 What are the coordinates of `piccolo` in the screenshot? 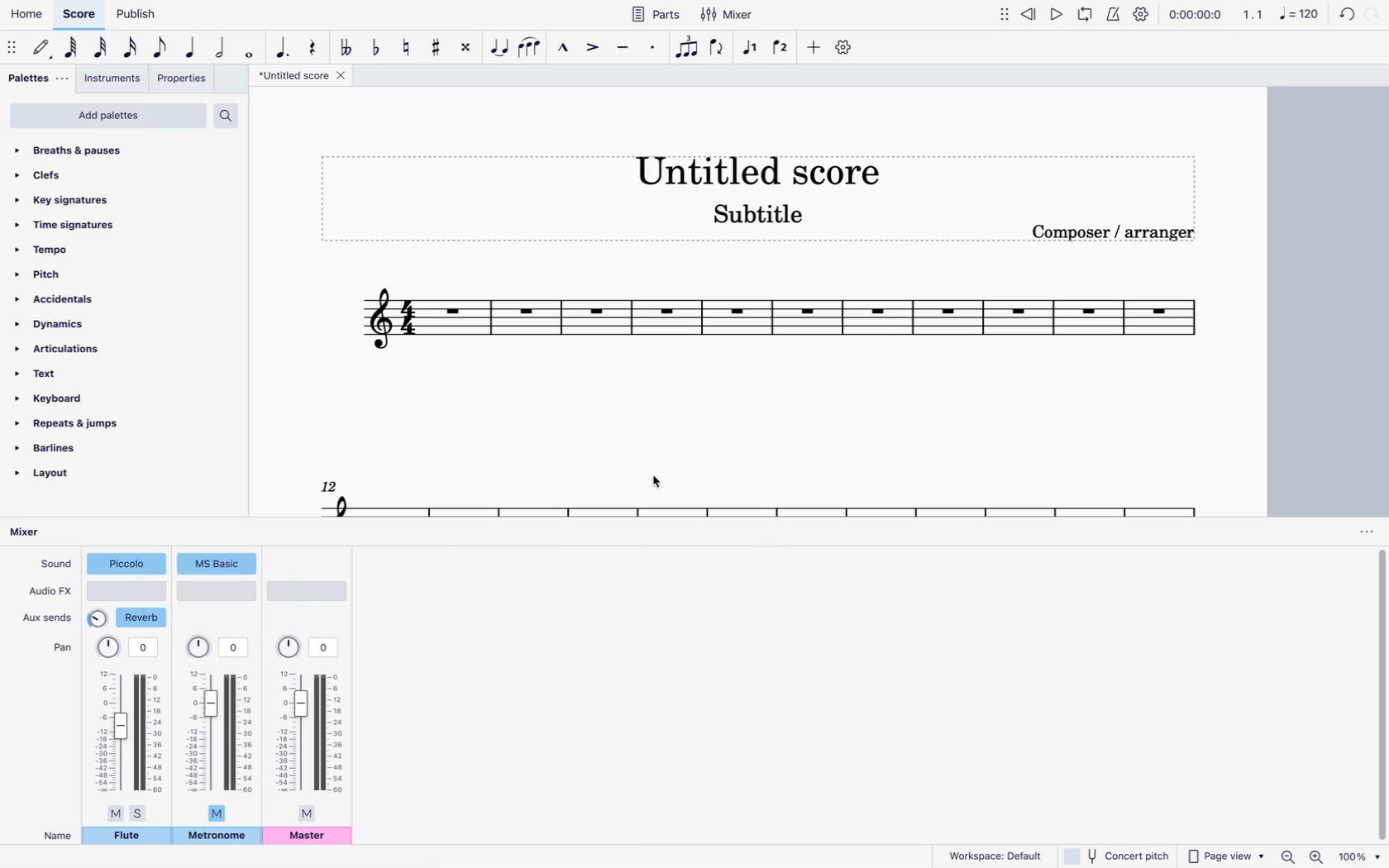 It's located at (129, 564).